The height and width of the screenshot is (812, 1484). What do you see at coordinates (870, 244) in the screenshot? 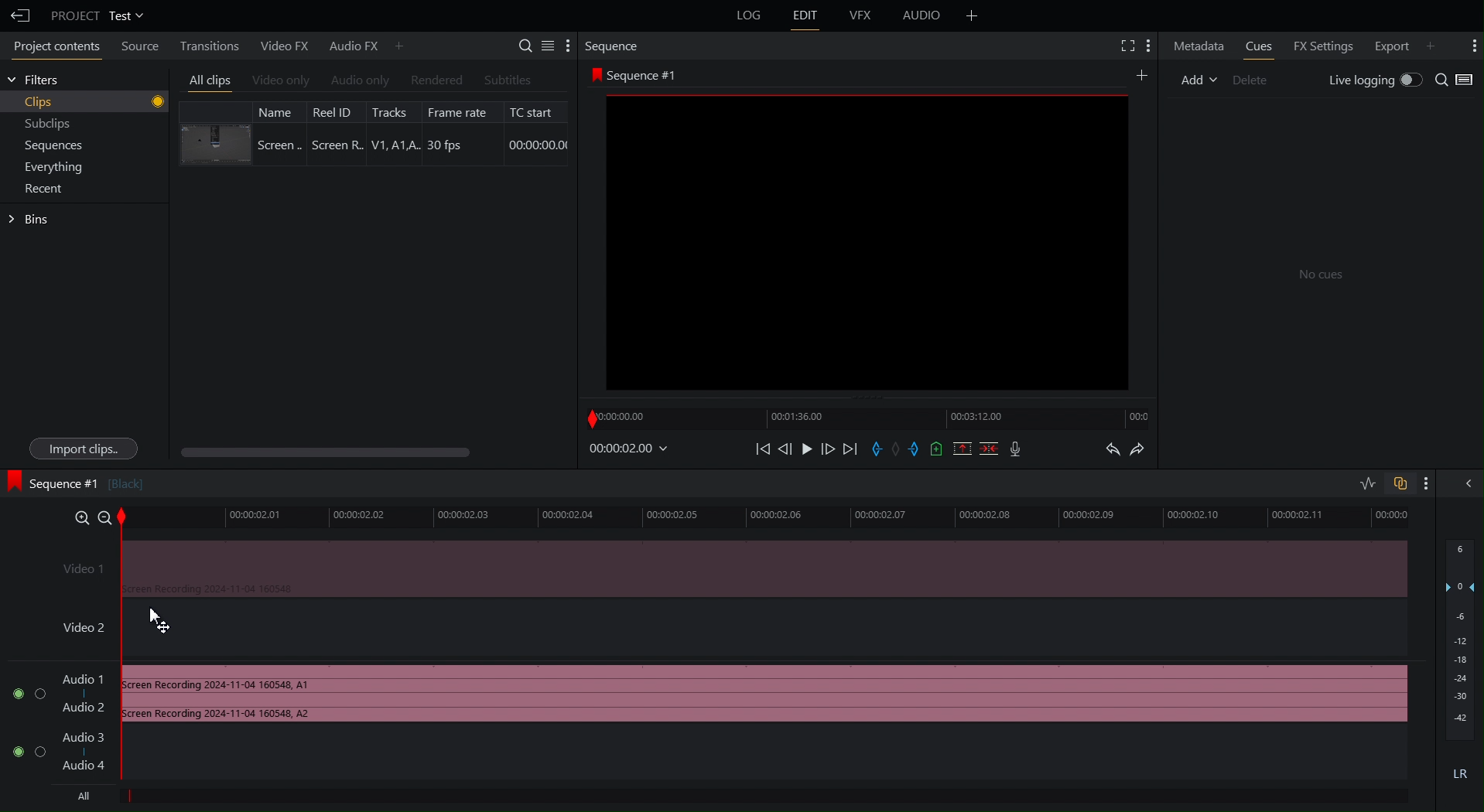
I see `Clip Preview` at bounding box center [870, 244].